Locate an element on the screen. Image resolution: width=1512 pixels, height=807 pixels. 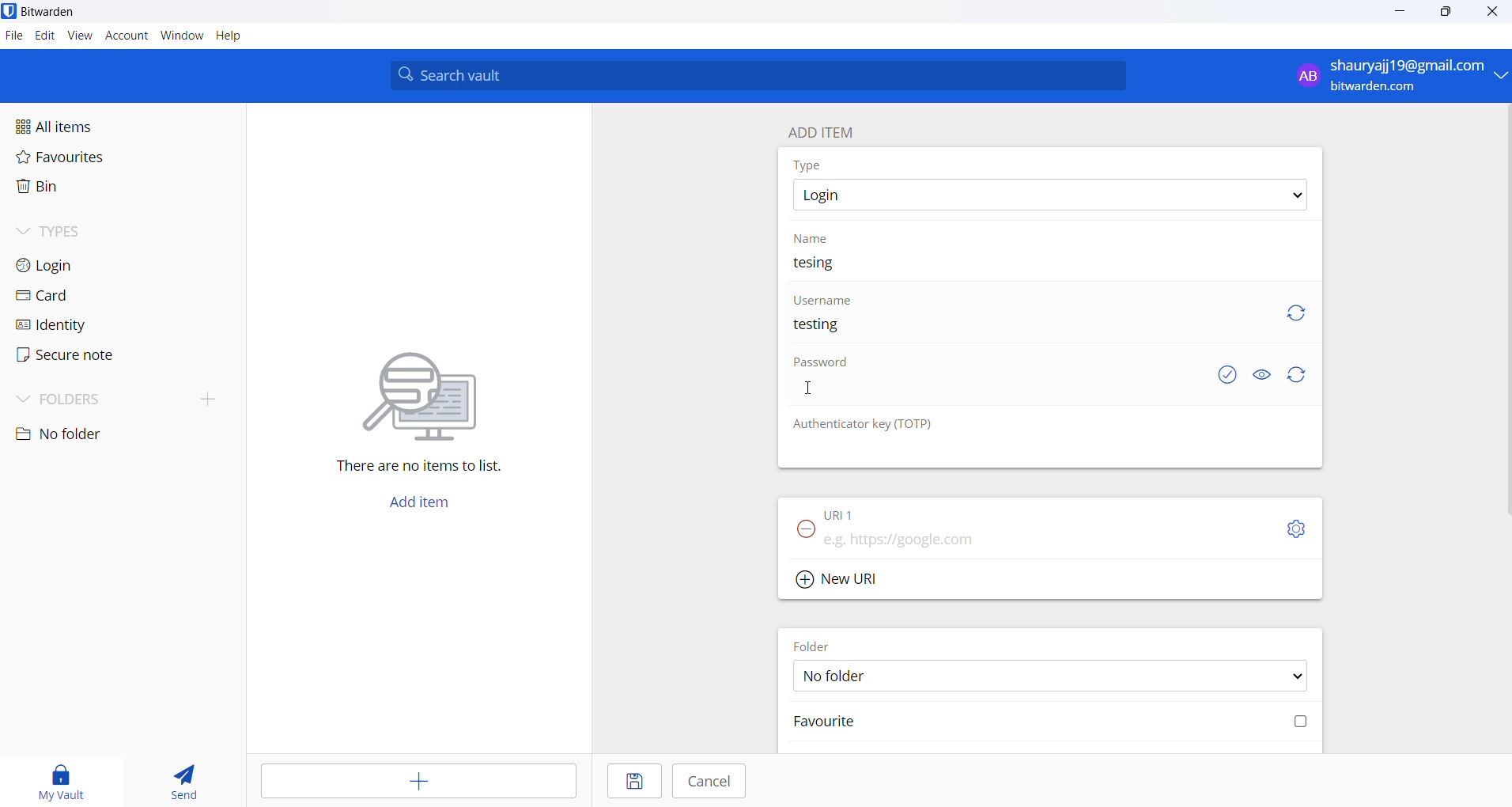
Types is located at coordinates (76, 229).